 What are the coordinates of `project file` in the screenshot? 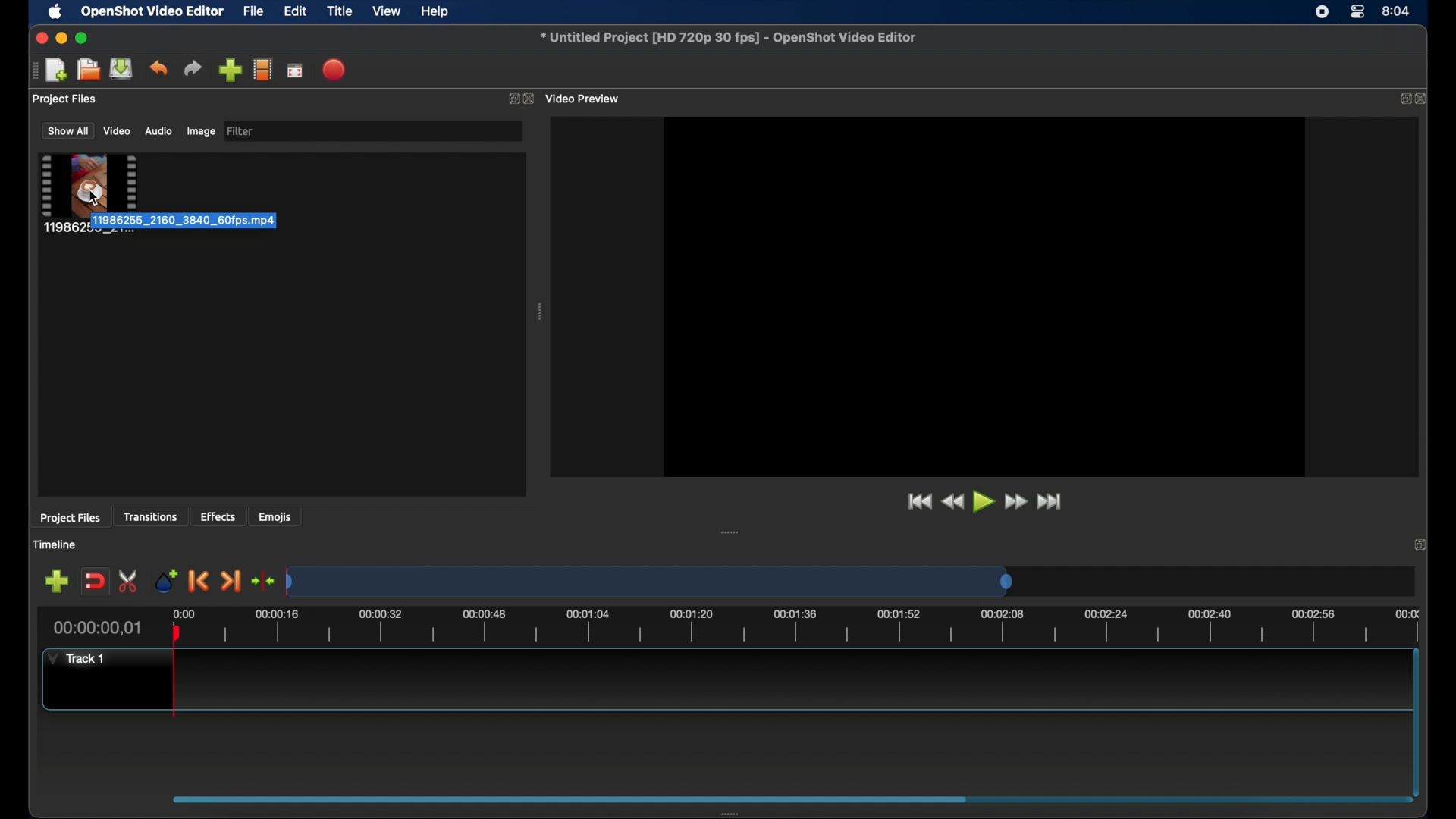 It's located at (88, 194).